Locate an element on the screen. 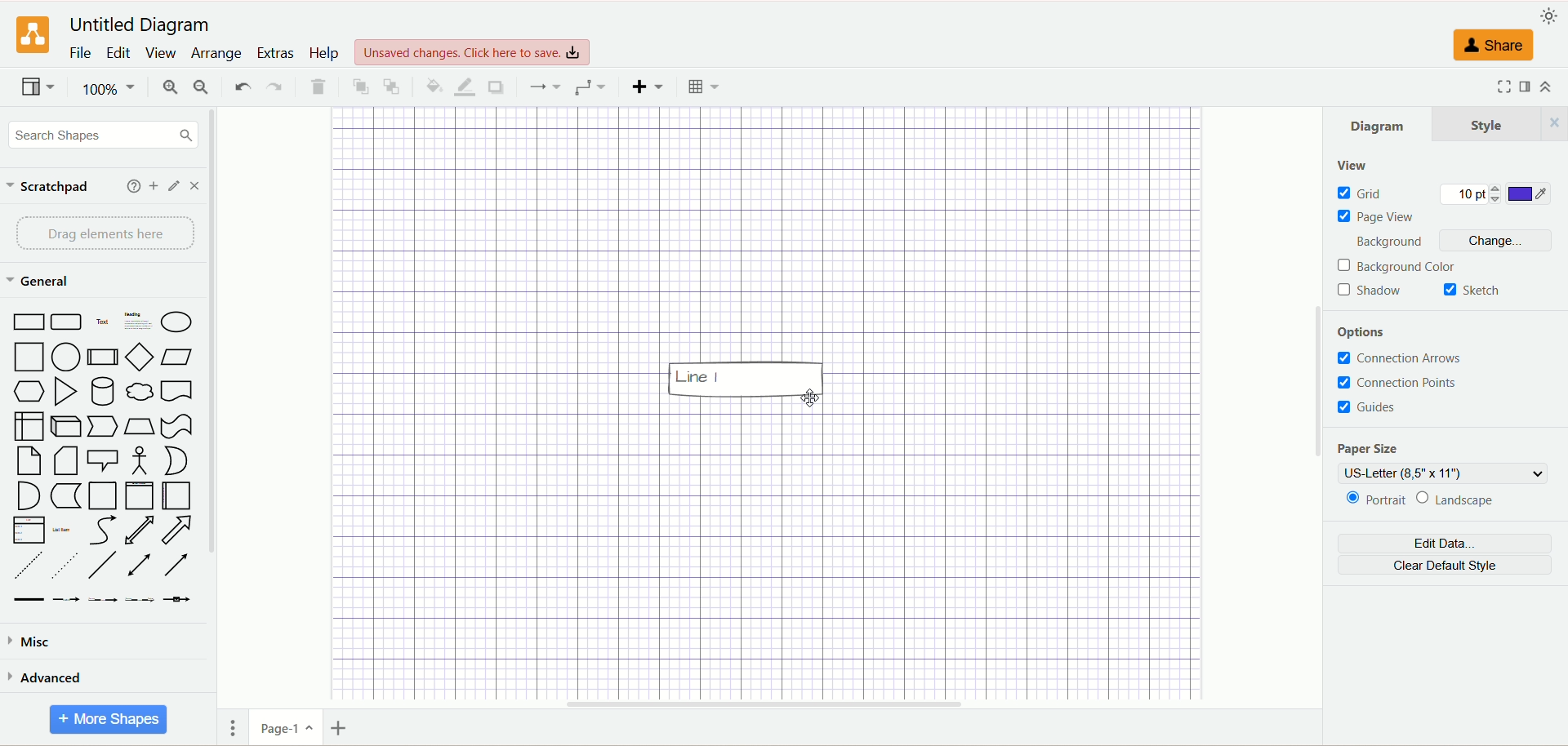 This screenshot has width=1568, height=746. edit data is located at coordinates (1442, 545).